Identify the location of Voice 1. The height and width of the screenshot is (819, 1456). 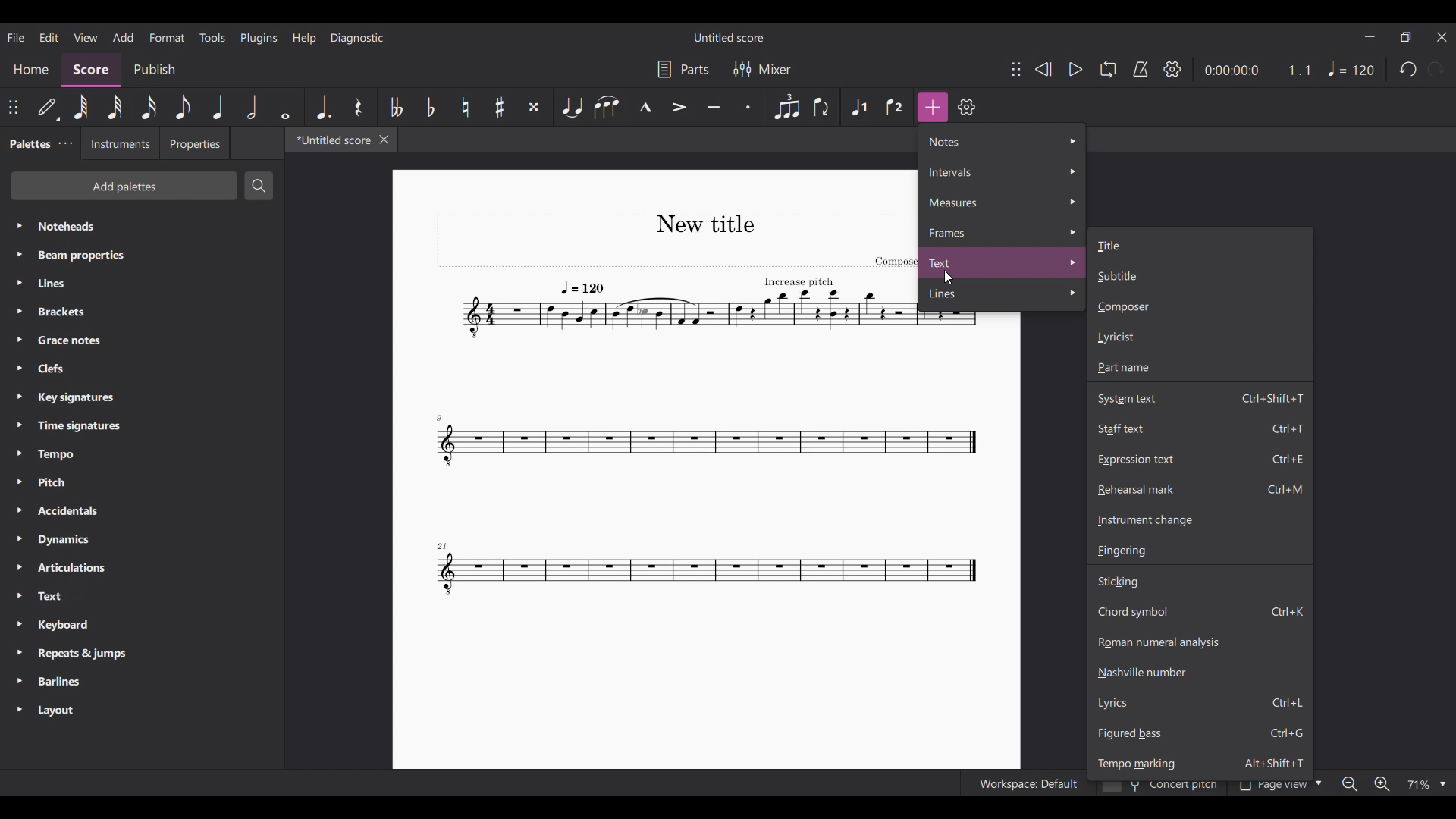
(860, 108).